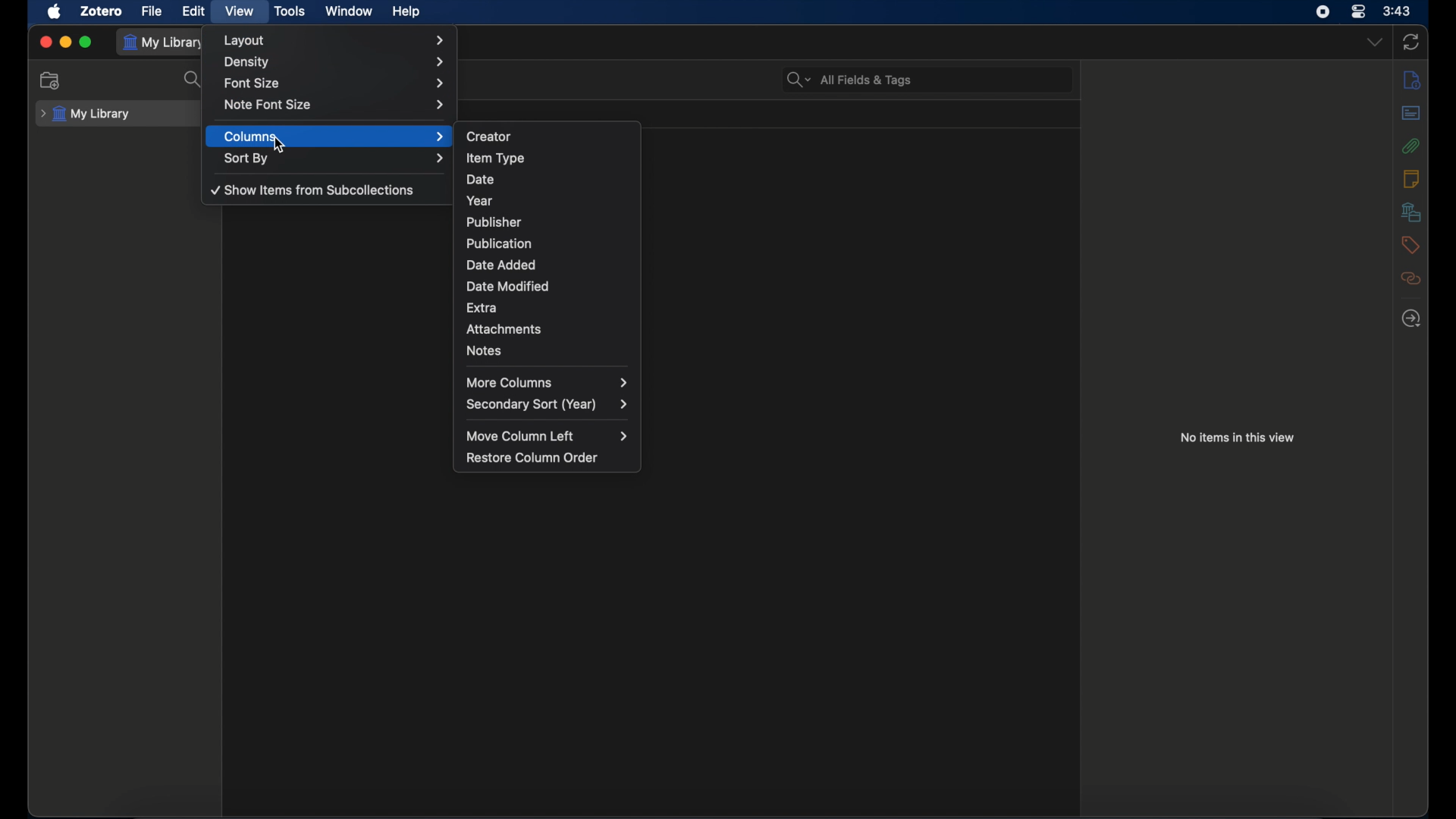 This screenshot has height=819, width=1456. Describe the element at coordinates (1410, 212) in the screenshot. I see `libraries` at that location.